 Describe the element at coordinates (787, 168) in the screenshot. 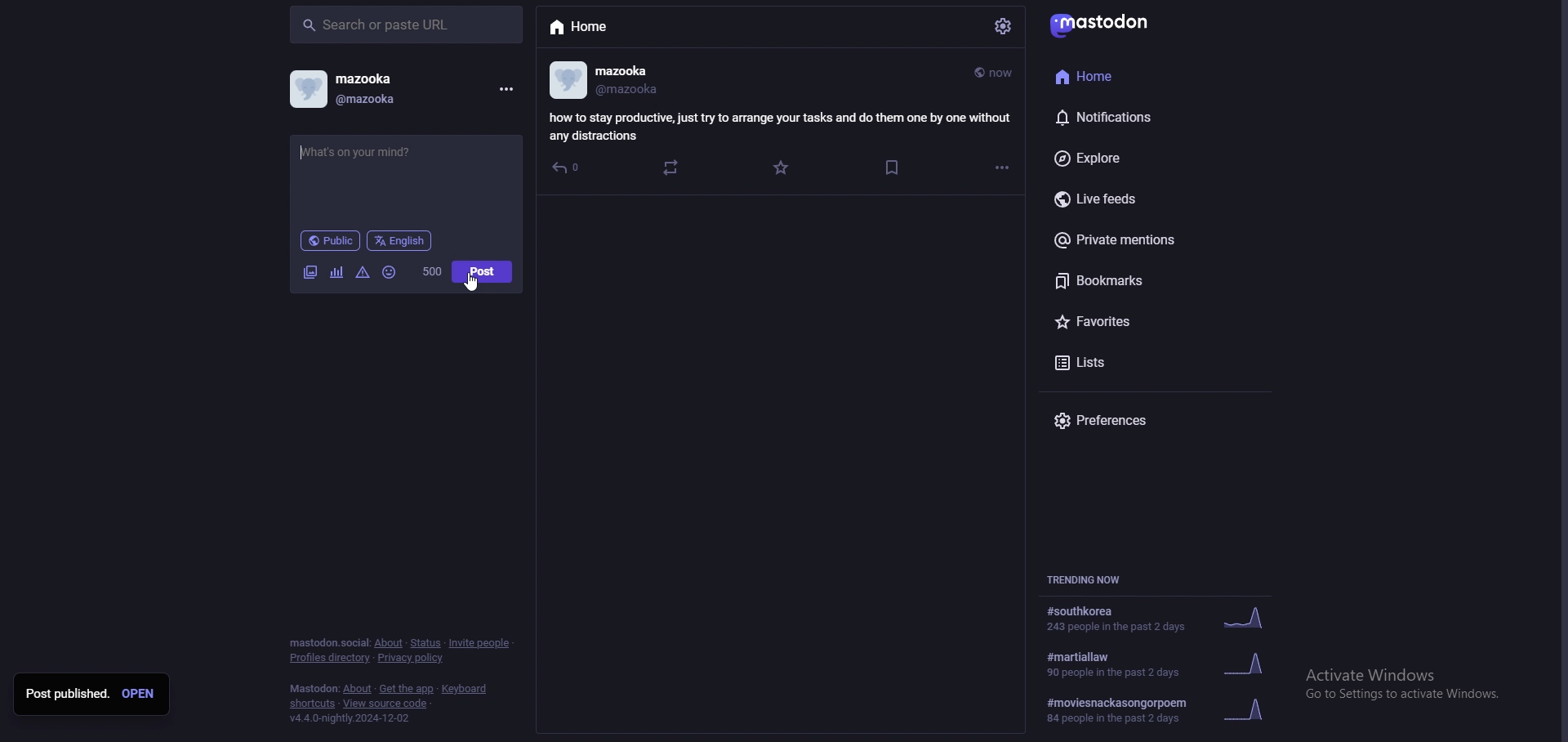

I see `favorite` at that location.